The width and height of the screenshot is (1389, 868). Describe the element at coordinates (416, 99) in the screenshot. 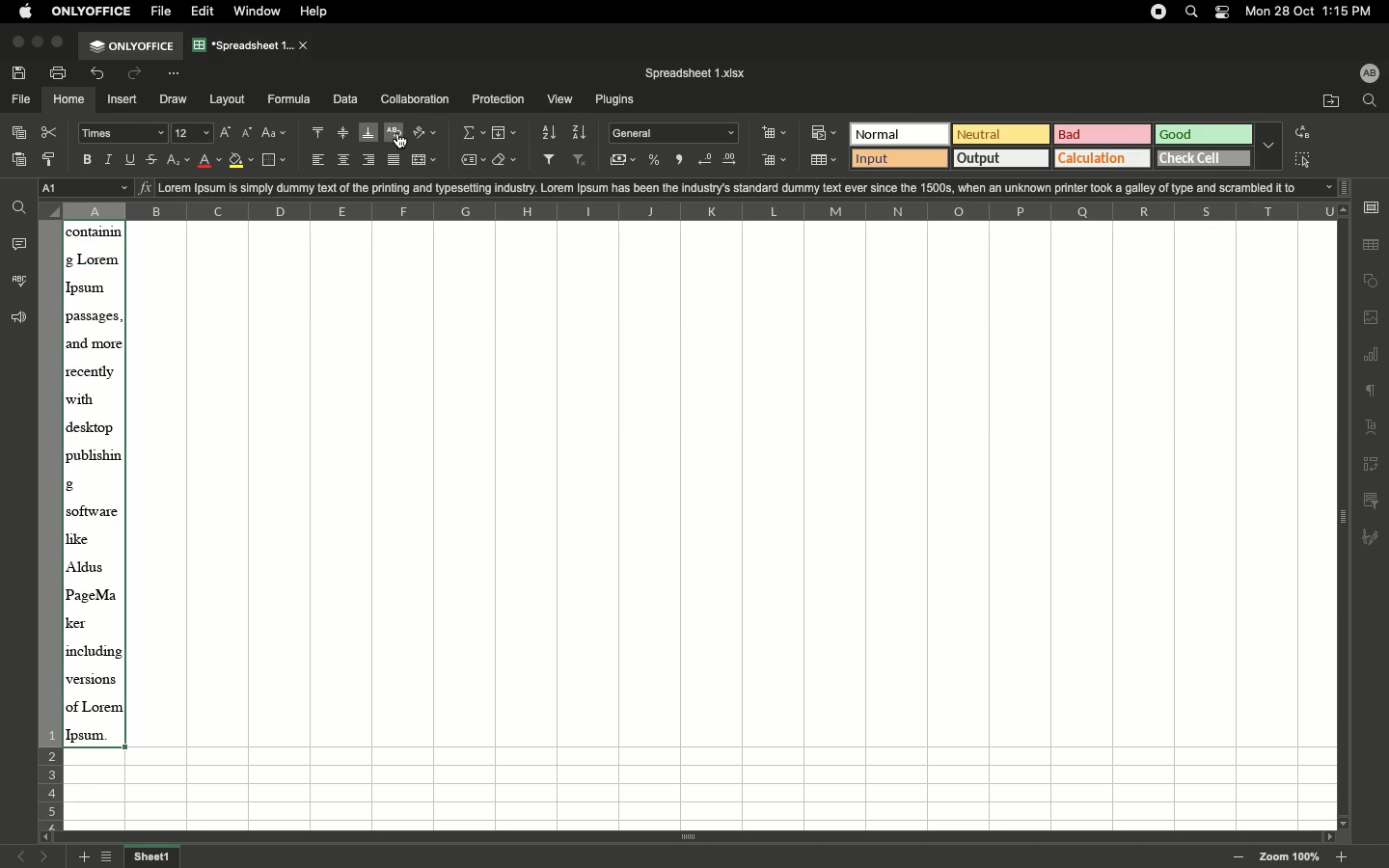

I see `Collaboration` at that location.